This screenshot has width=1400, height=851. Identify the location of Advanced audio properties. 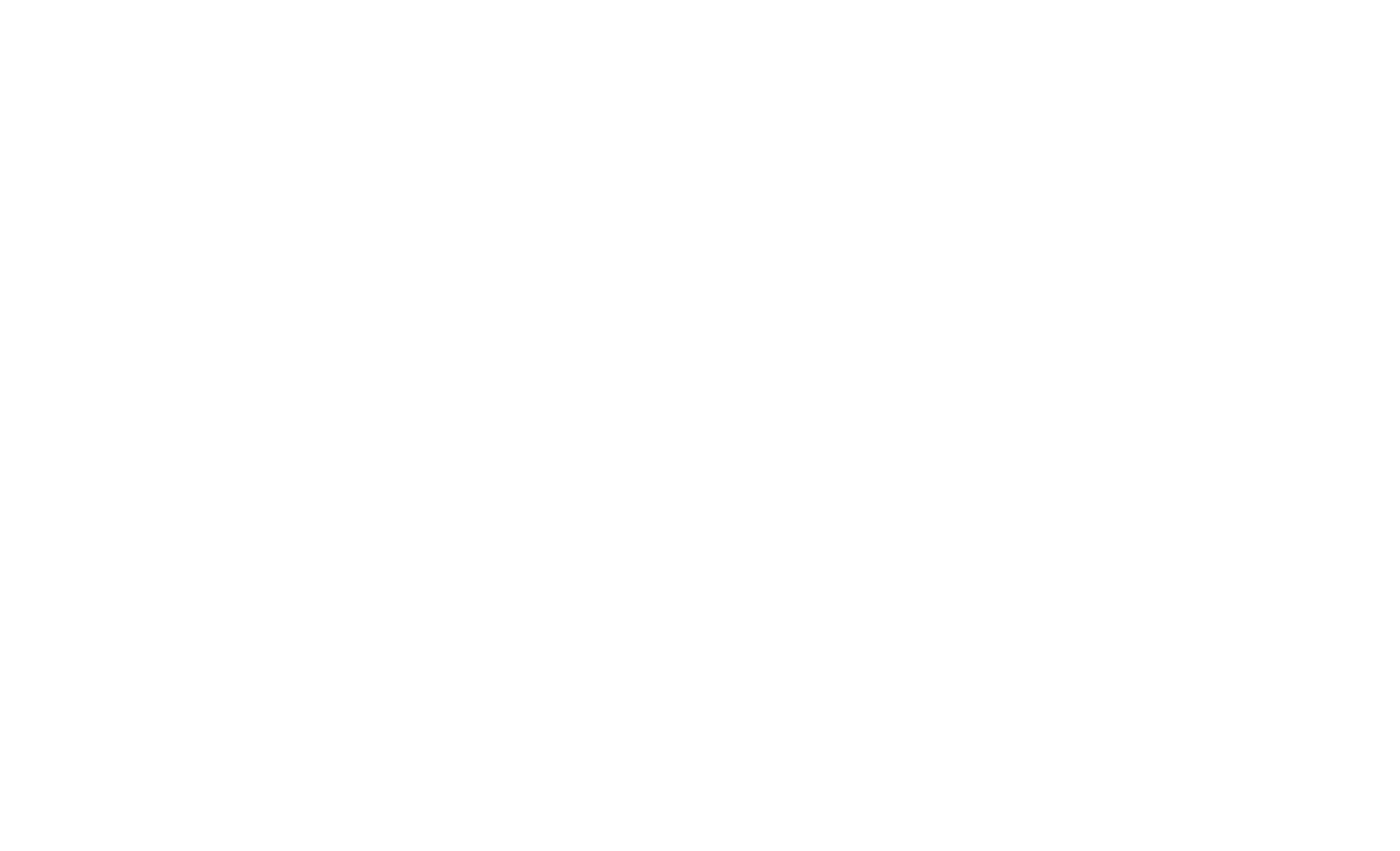
(580, 804).